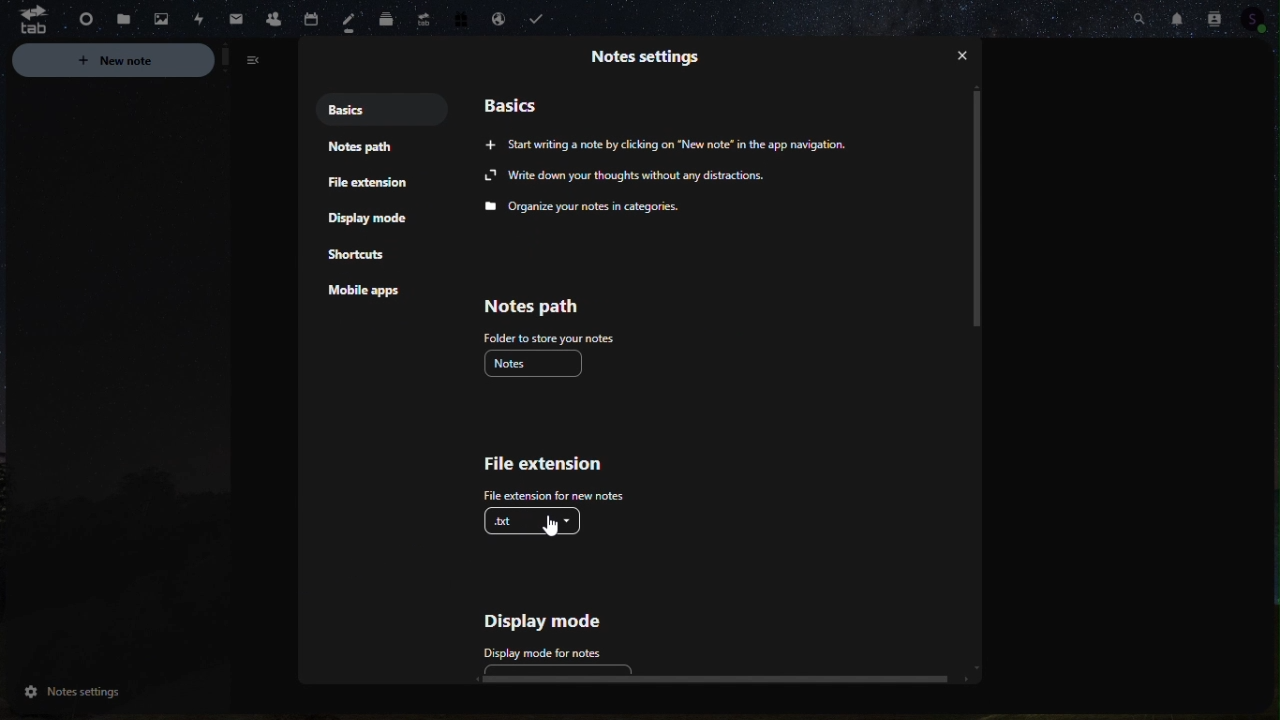  What do you see at coordinates (357, 149) in the screenshot?
I see `notes path` at bounding box center [357, 149].